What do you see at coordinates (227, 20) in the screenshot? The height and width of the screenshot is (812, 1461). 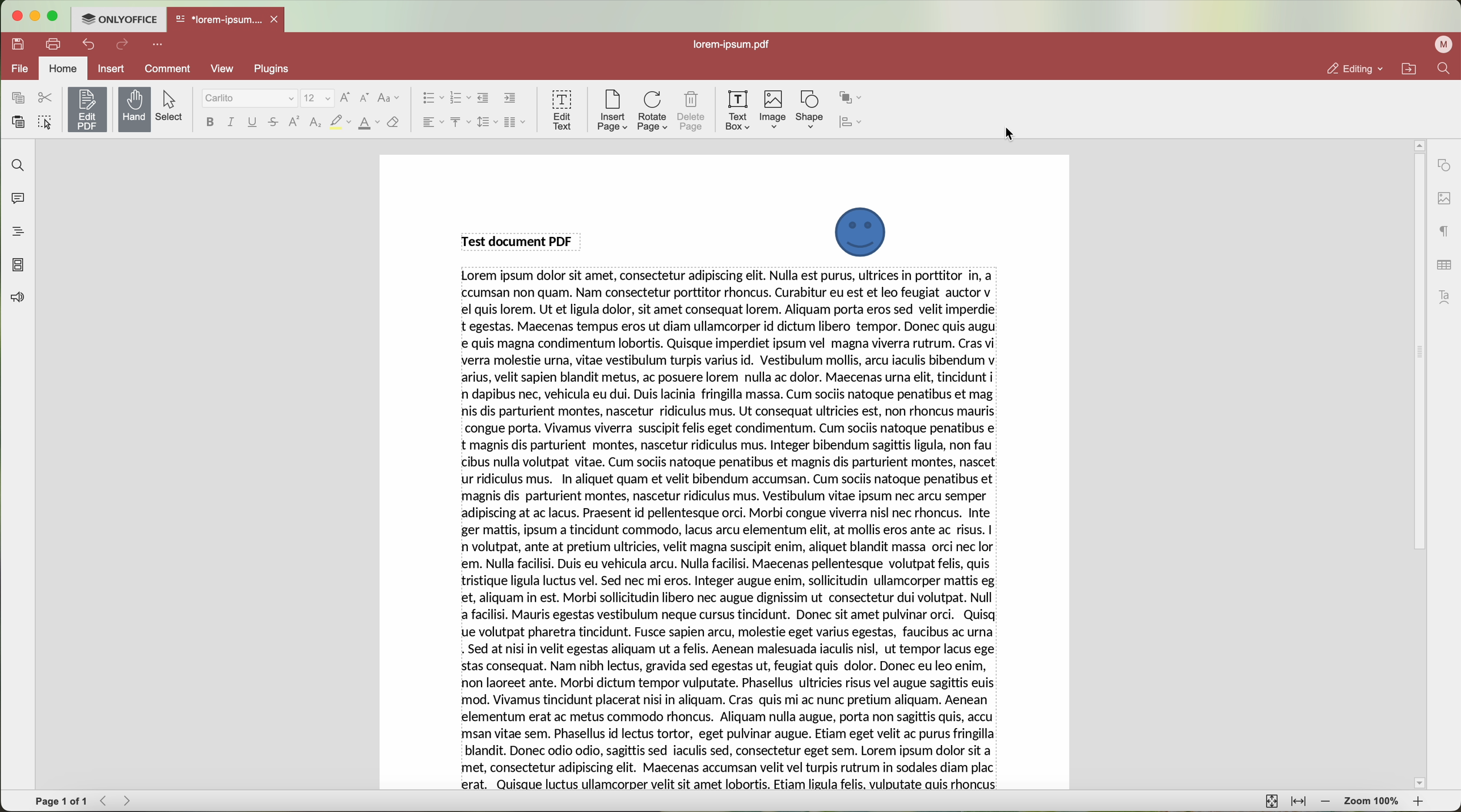 I see `open file` at bounding box center [227, 20].